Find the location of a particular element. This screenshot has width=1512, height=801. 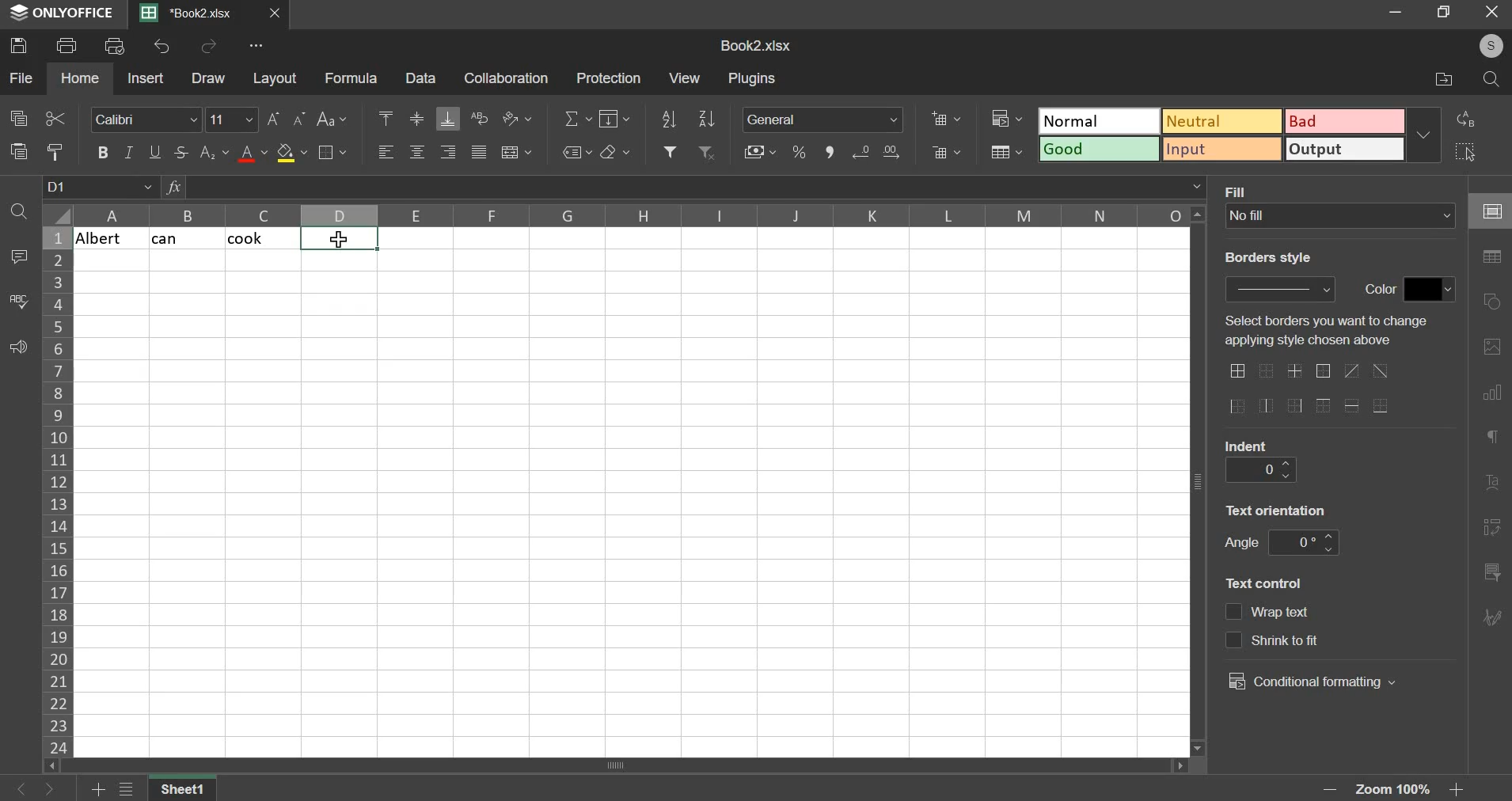

cell is located at coordinates (1490, 212).